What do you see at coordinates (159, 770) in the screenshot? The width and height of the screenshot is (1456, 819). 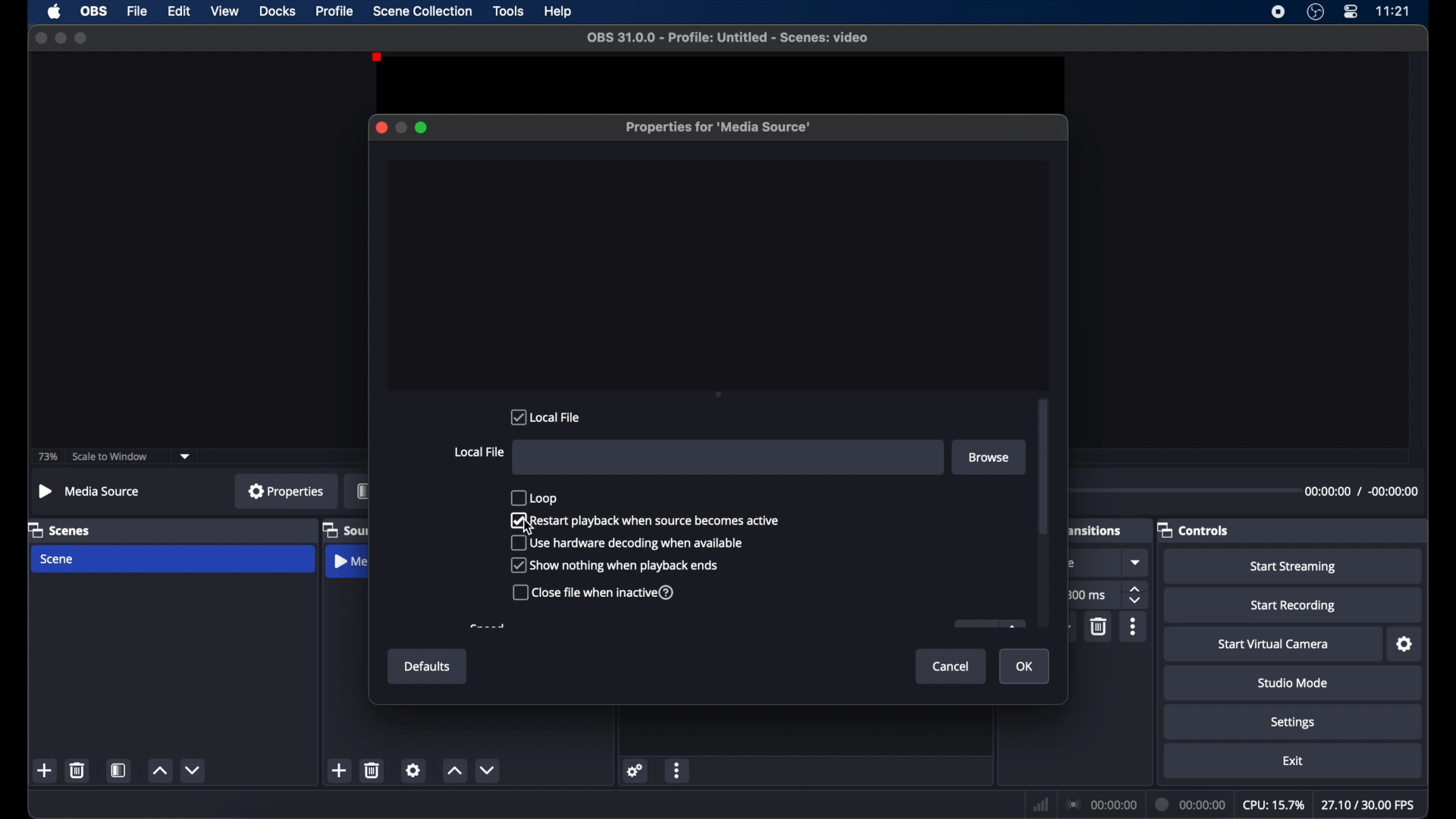 I see `increment` at bounding box center [159, 770].